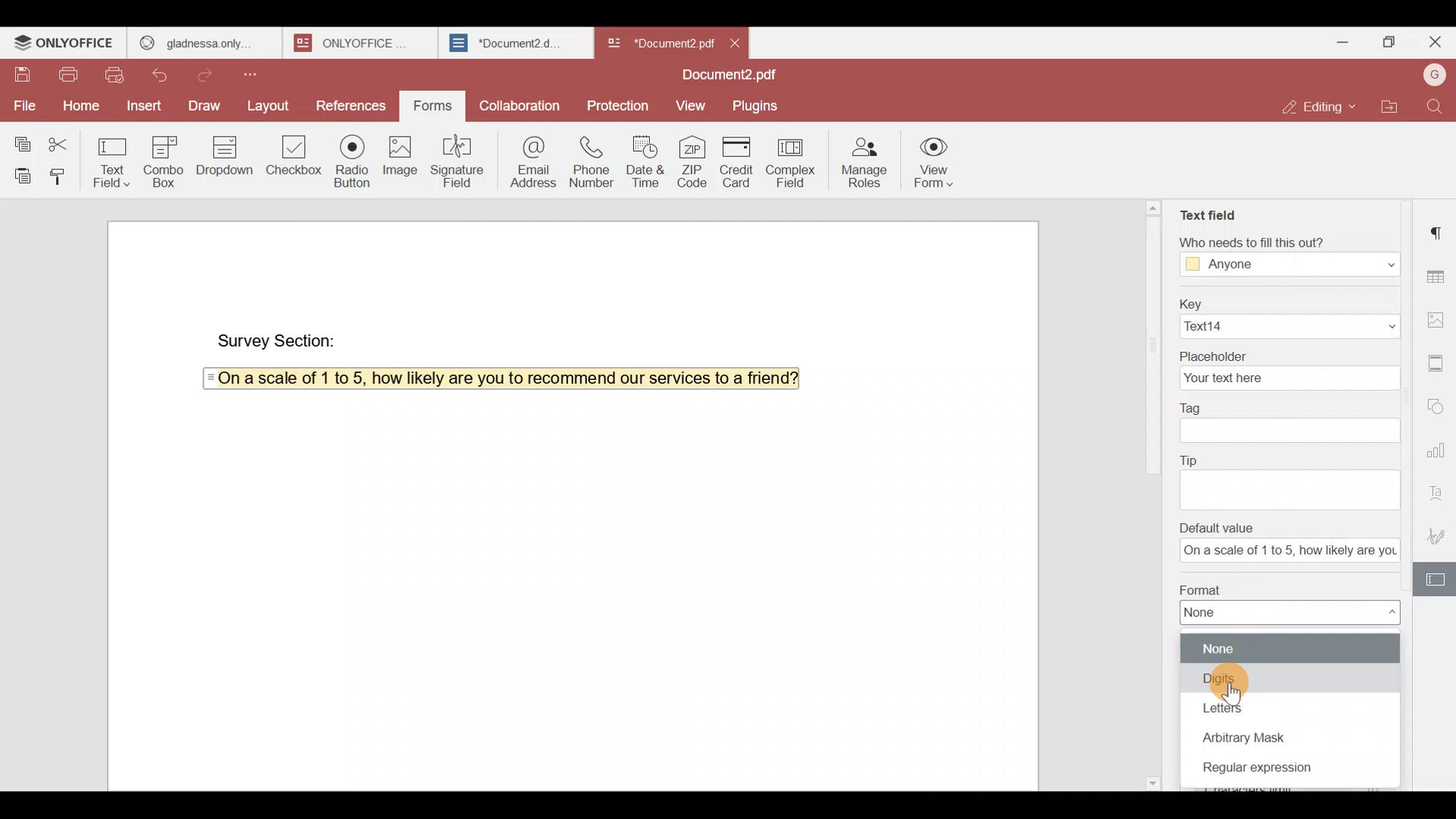 The width and height of the screenshot is (1456, 819). What do you see at coordinates (724, 76) in the screenshot?
I see `Document2.pdf` at bounding box center [724, 76].